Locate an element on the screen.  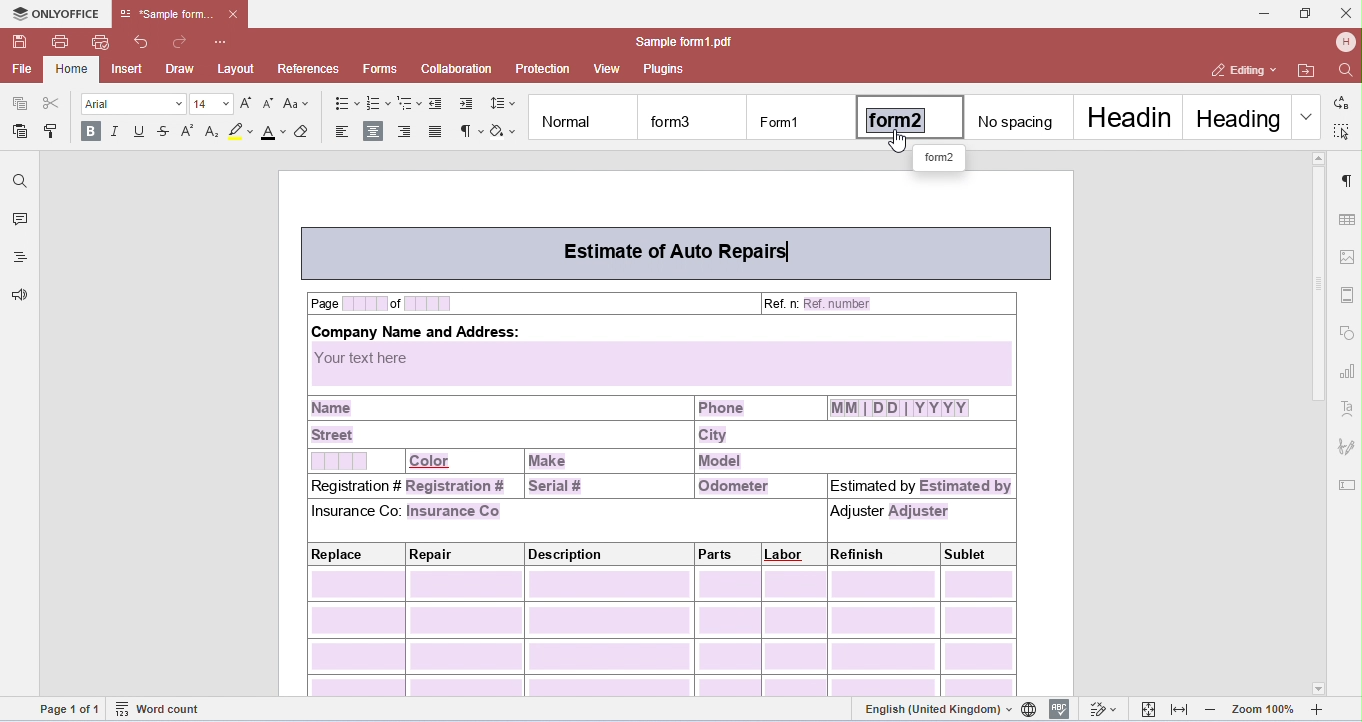
form2 is located at coordinates (912, 115).